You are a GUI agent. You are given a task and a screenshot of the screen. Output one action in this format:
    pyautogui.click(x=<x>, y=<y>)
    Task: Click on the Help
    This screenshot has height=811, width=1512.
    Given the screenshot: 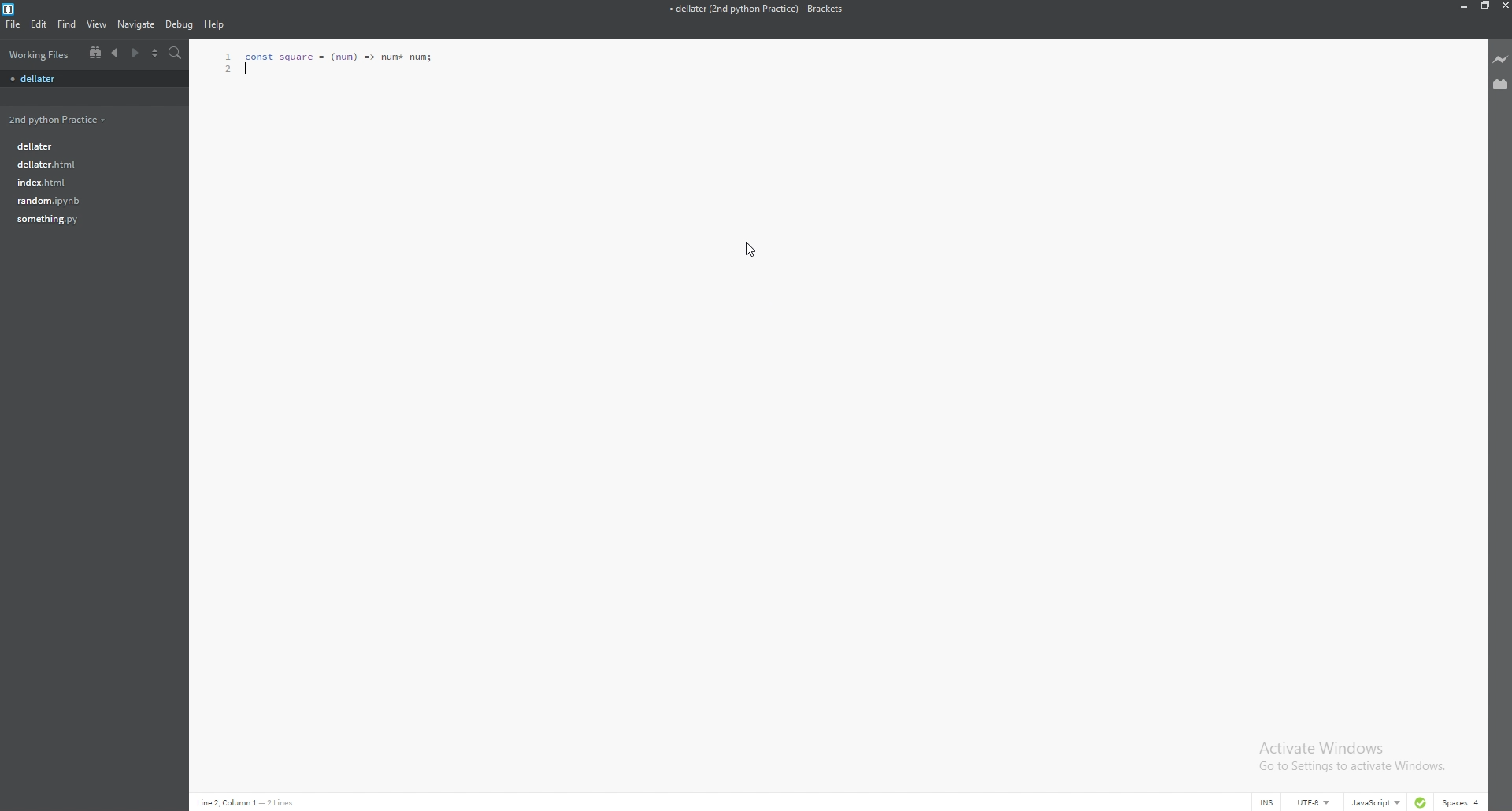 What is the action you would take?
    pyautogui.click(x=214, y=23)
    